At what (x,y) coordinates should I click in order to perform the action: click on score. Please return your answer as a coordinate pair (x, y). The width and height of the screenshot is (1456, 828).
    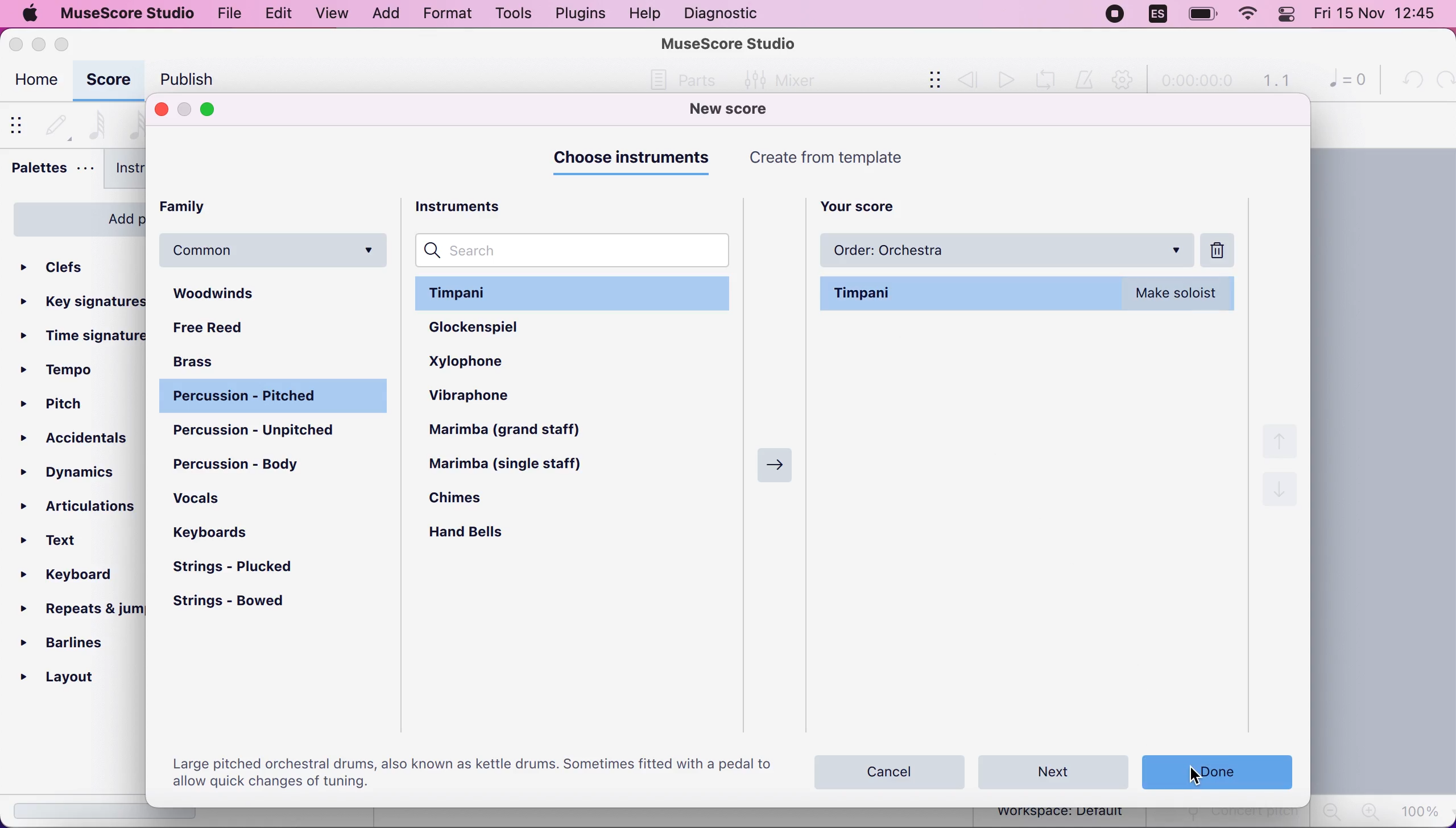
    Looking at the image, I should click on (108, 81).